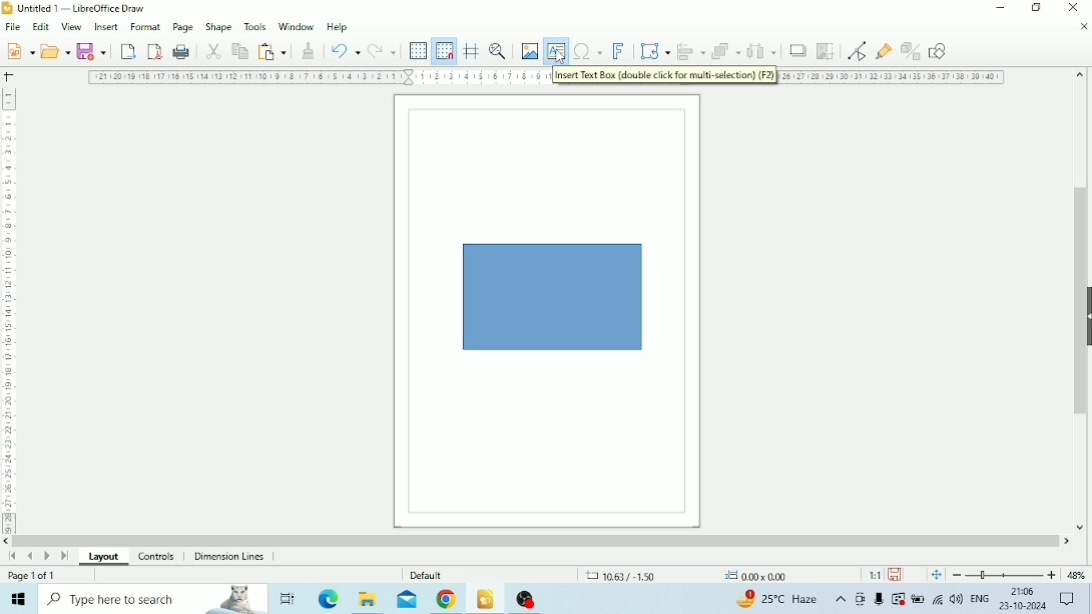 Image resolution: width=1092 pixels, height=614 pixels. I want to click on Google Chrome, so click(447, 599).